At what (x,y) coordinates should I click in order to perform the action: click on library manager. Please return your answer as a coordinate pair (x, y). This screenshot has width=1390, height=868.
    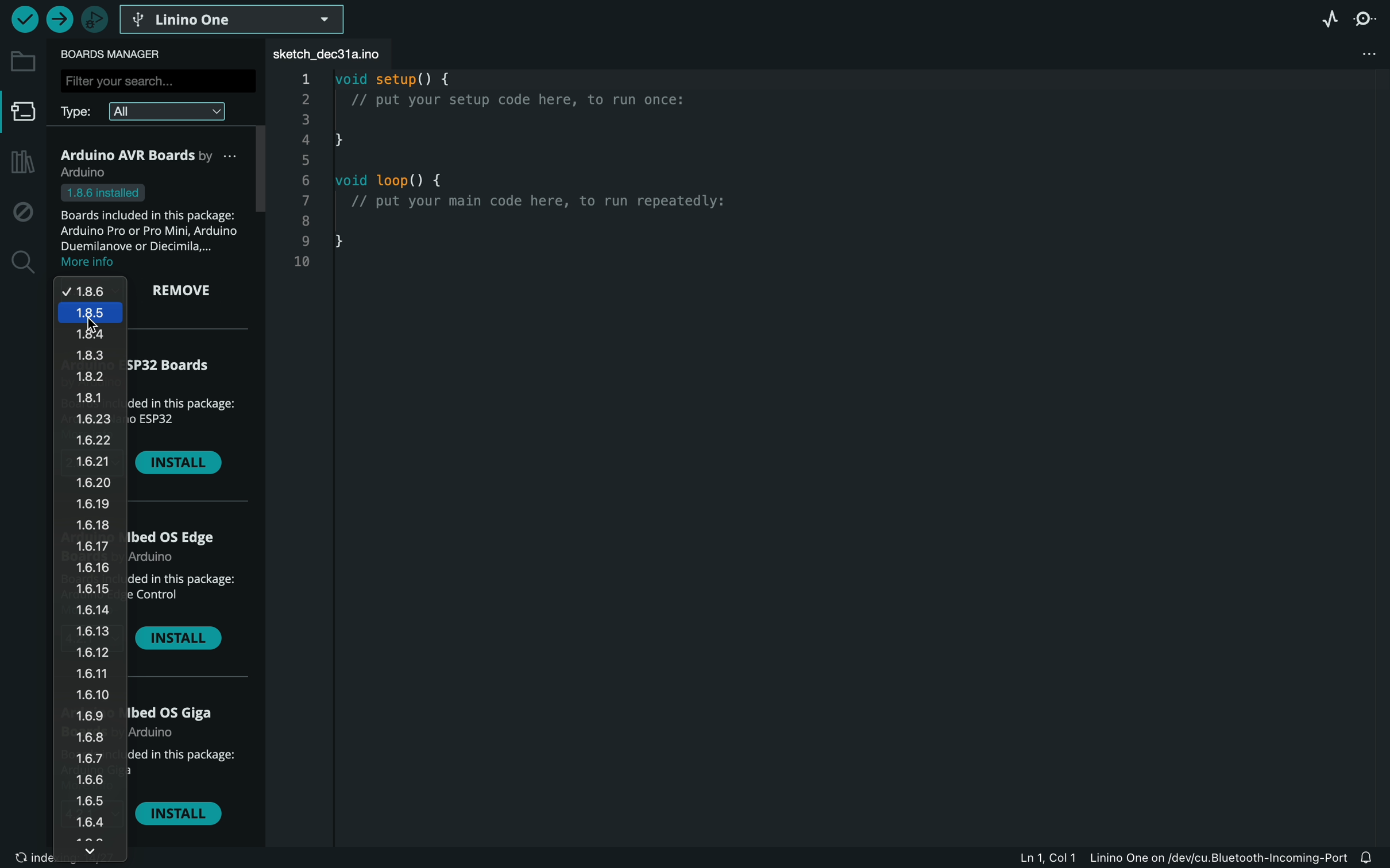
    Looking at the image, I should click on (20, 163).